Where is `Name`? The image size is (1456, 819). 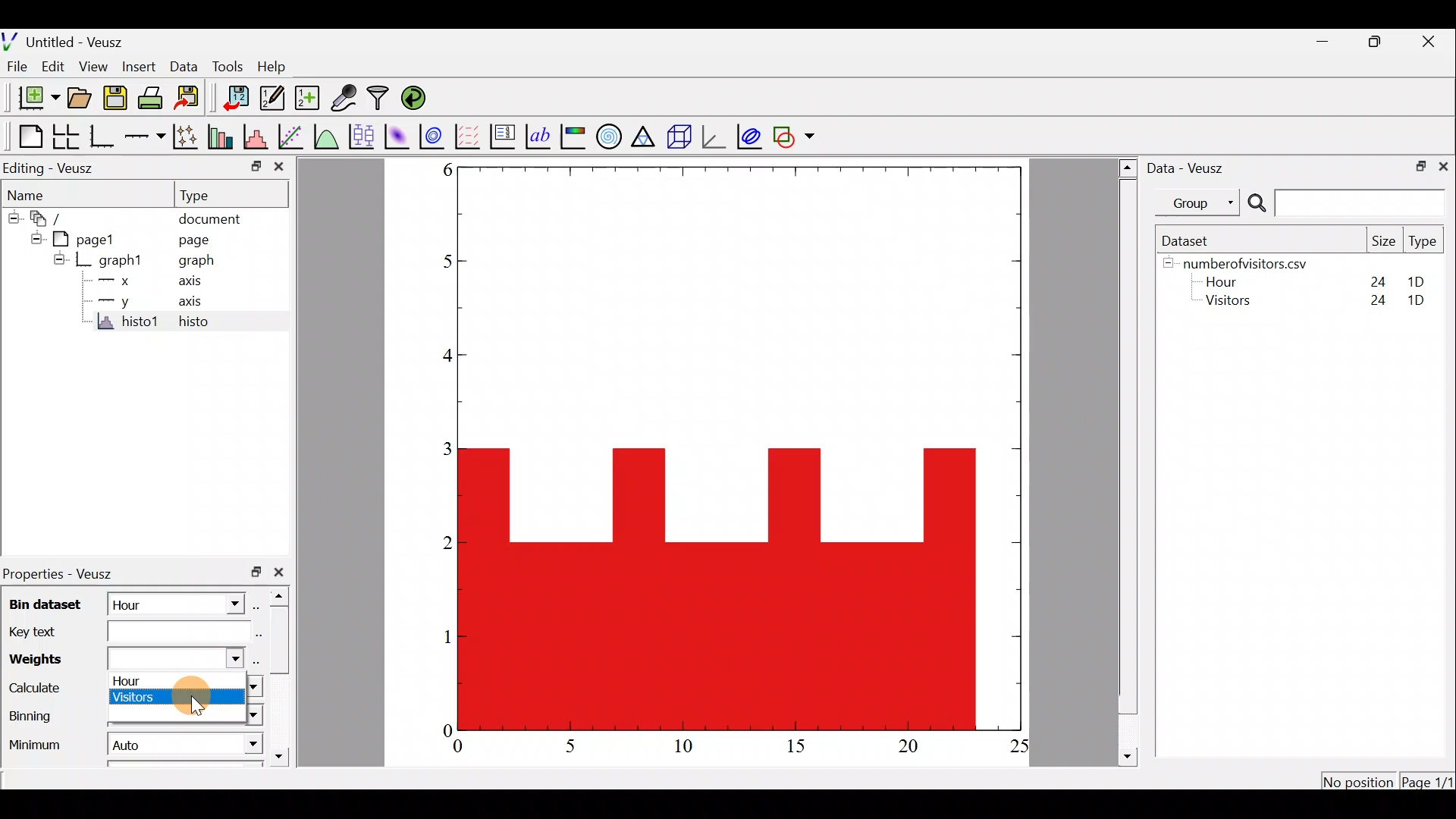 Name is located at coordinates (30, 192).